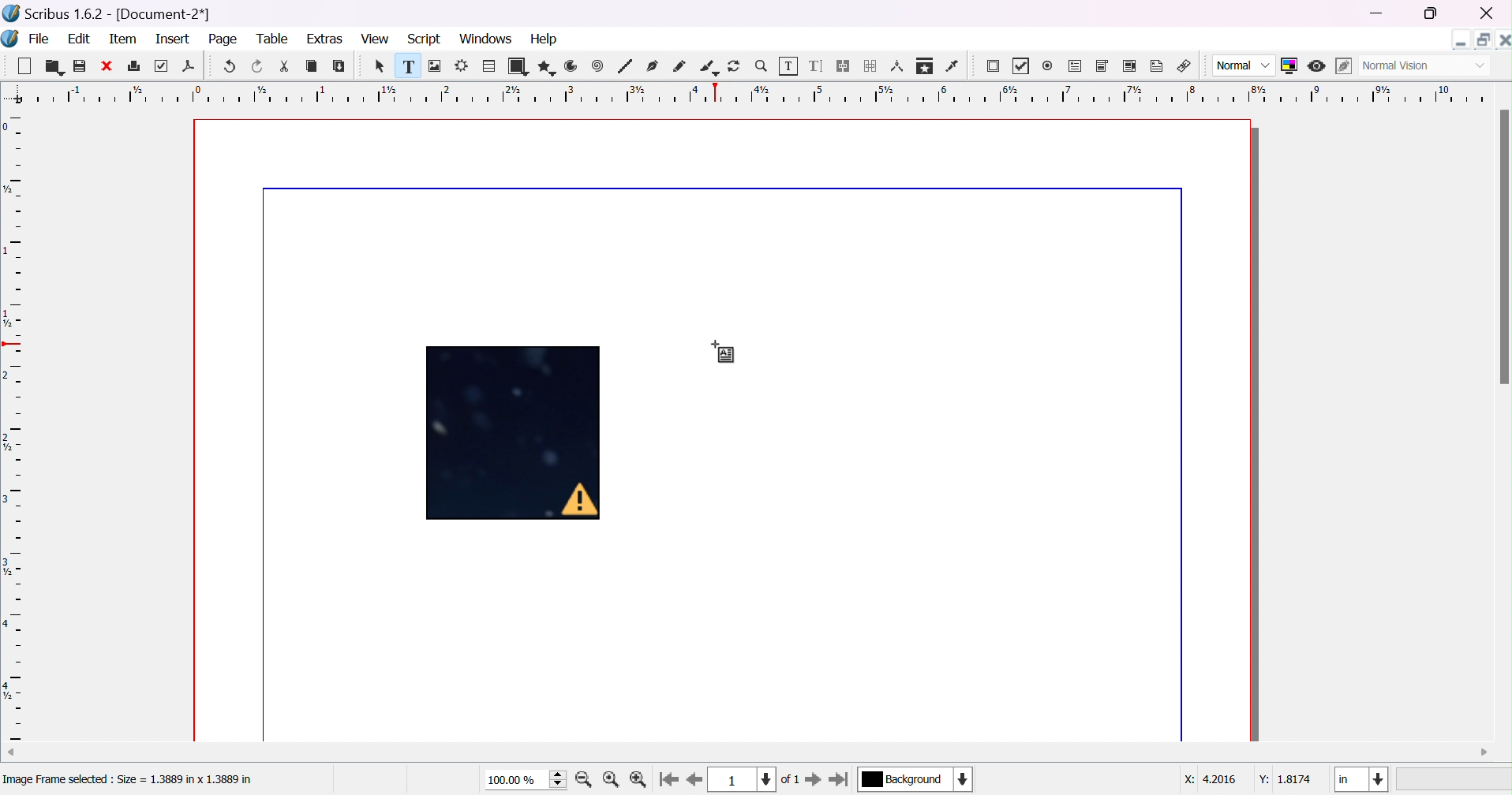 This screenshot has width=1512, height=795. Describe the element at coordinates (818, 66) in the screenshot. I see `edit text with story editor` at that location.